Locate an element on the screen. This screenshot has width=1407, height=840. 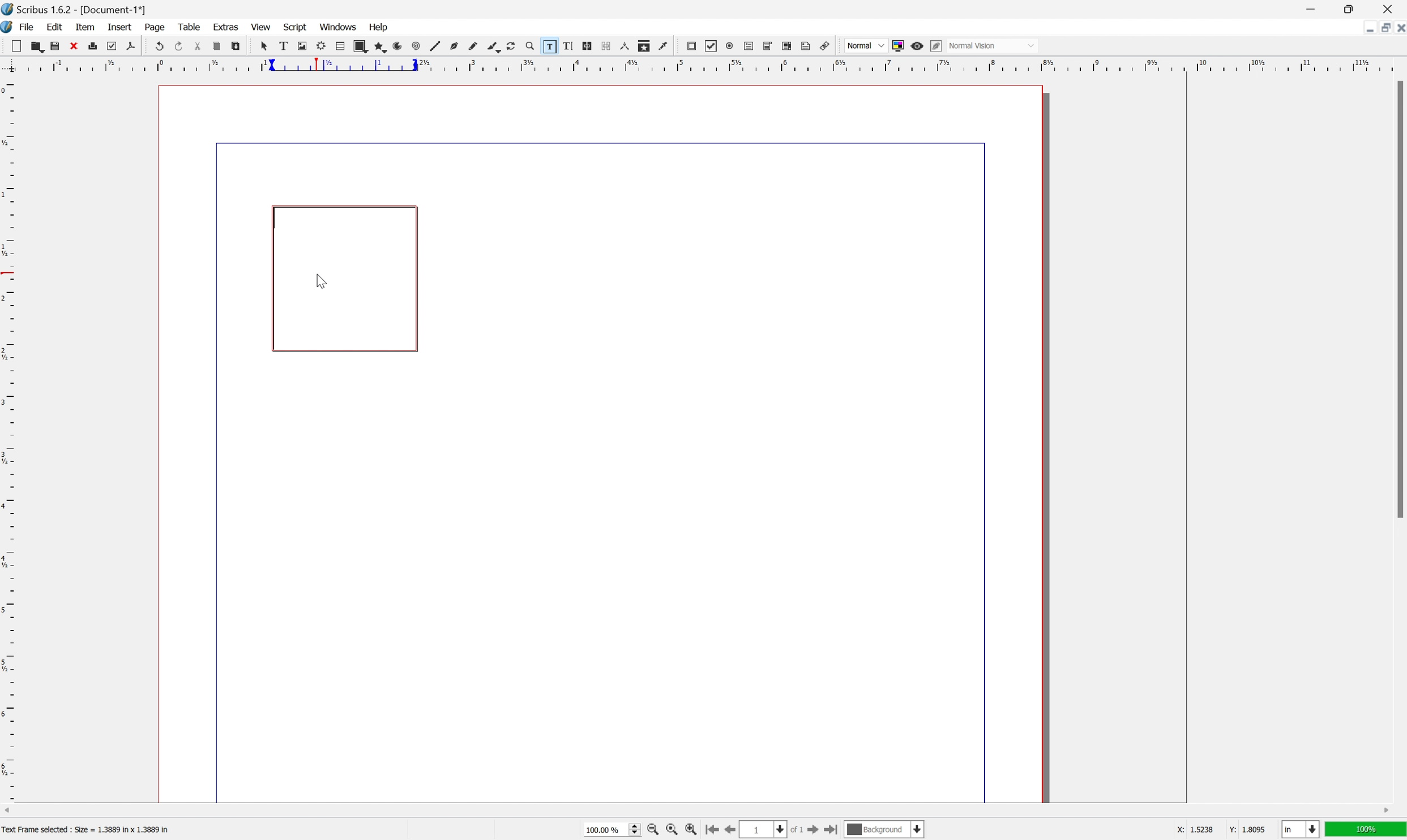
go to previous page is located at coordinates (728, 831).